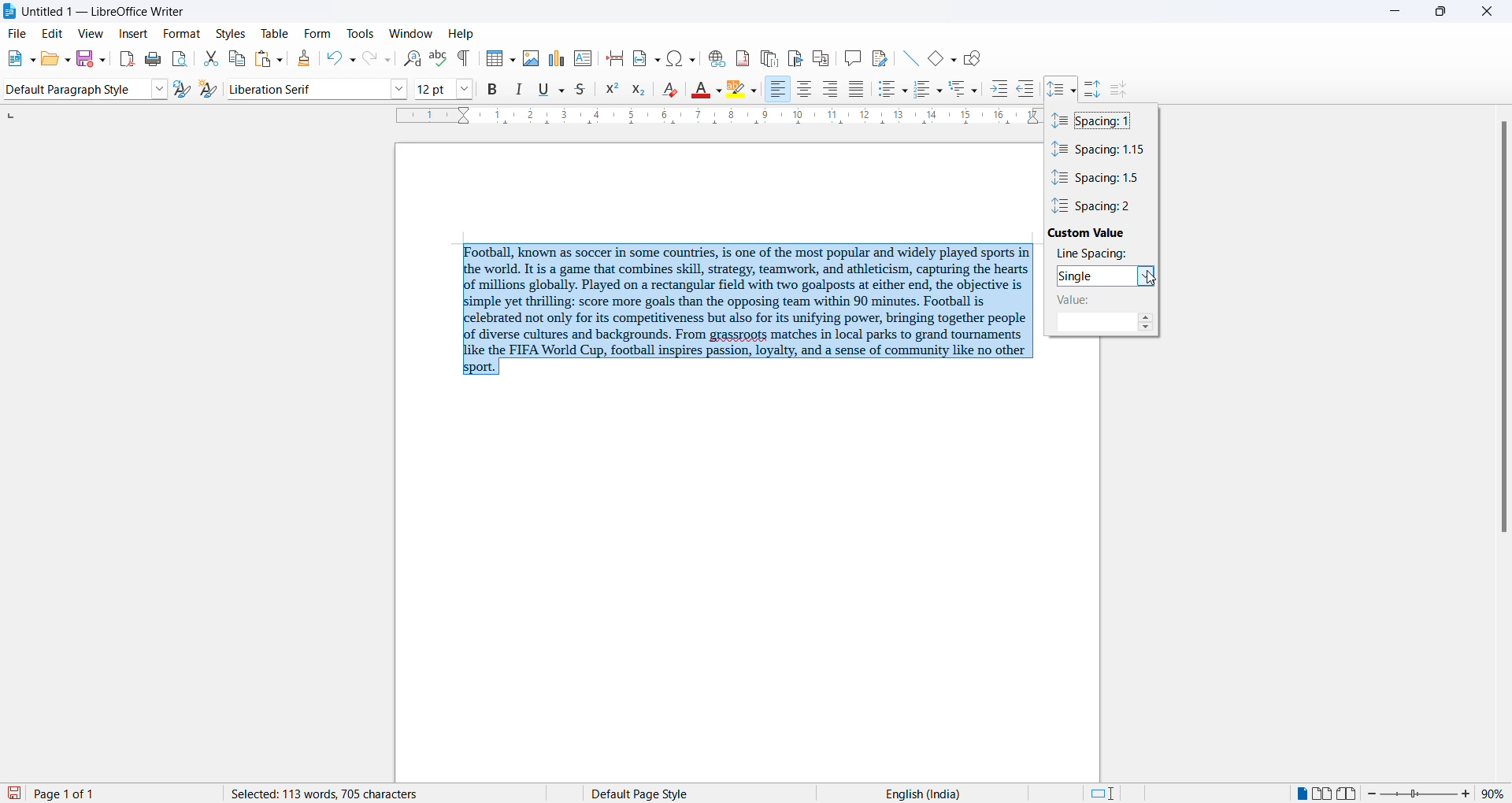  I want to click on page break, so click(615, 58).